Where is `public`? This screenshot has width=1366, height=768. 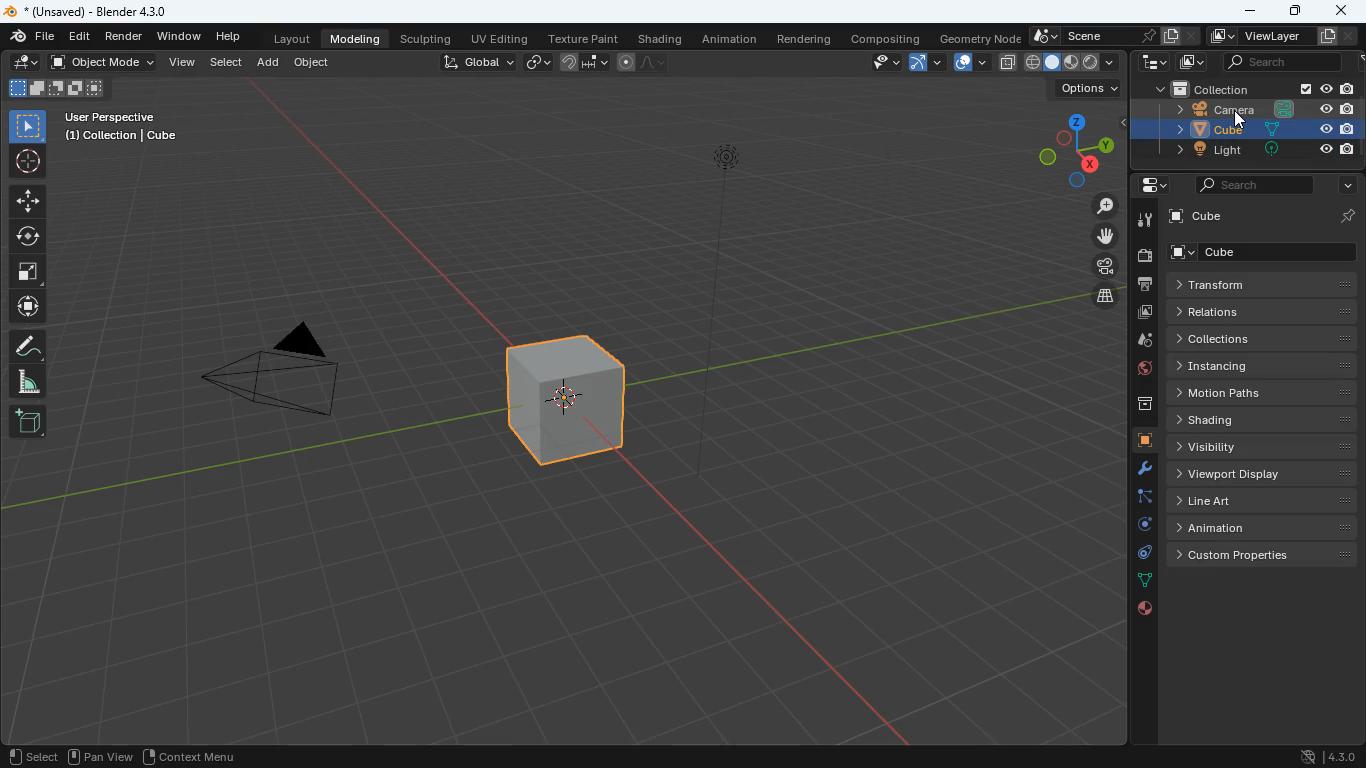 public is located at coordinates (1141, 609).